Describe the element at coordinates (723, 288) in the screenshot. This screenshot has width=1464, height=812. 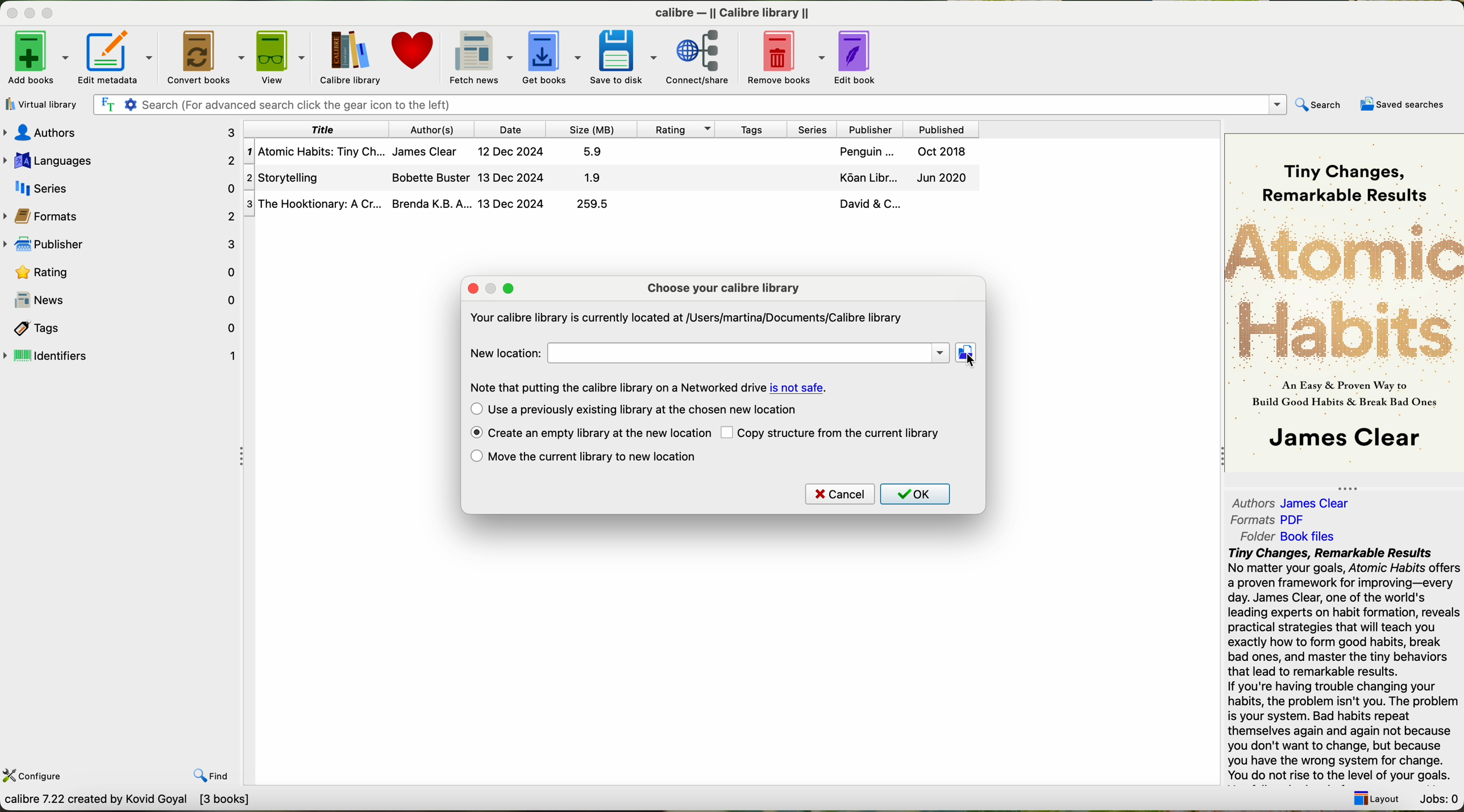
I see `choose your calibre library` at that location.